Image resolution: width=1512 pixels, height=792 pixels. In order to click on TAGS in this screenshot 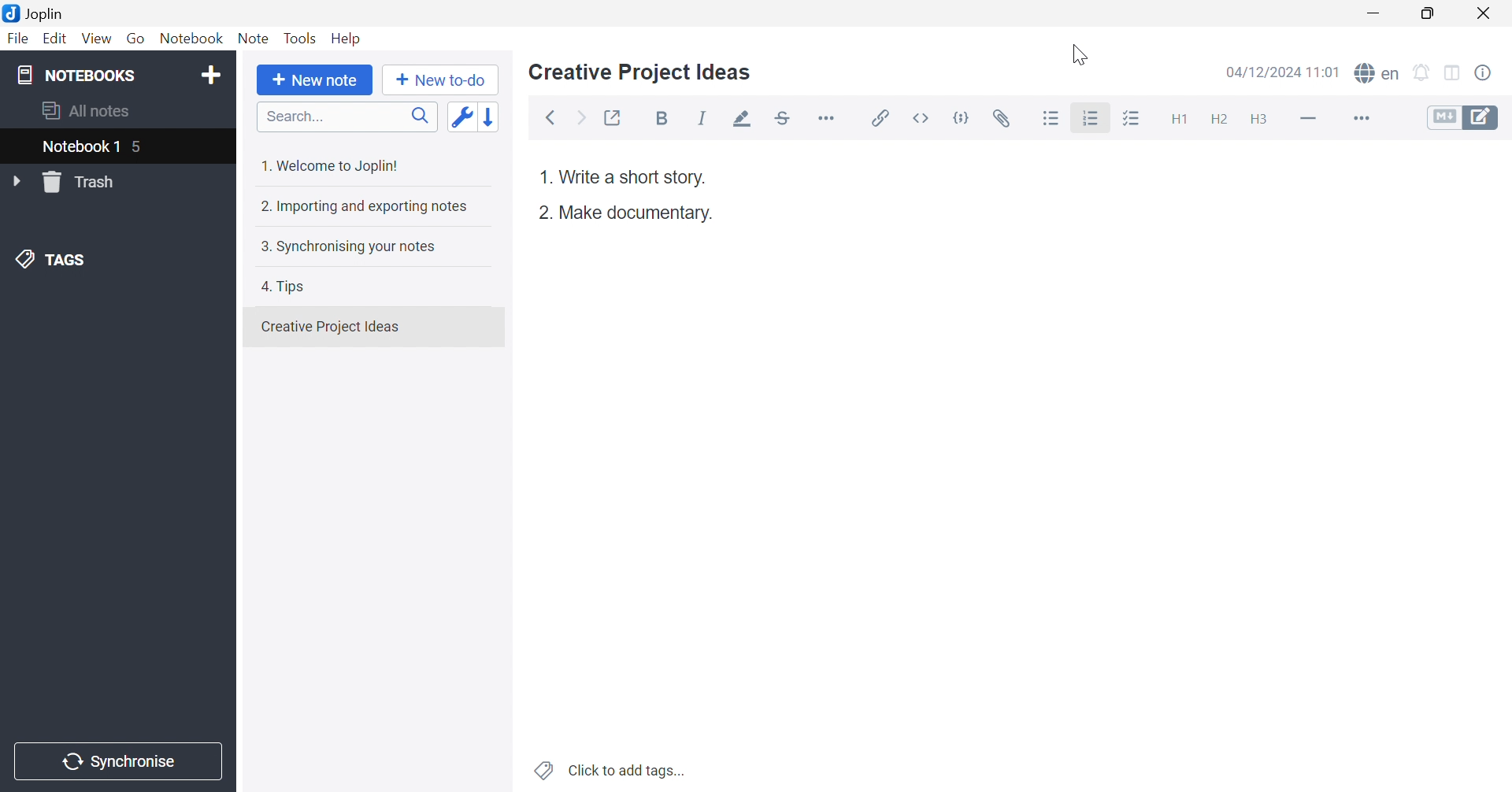, I will do `click(51, 261)`.